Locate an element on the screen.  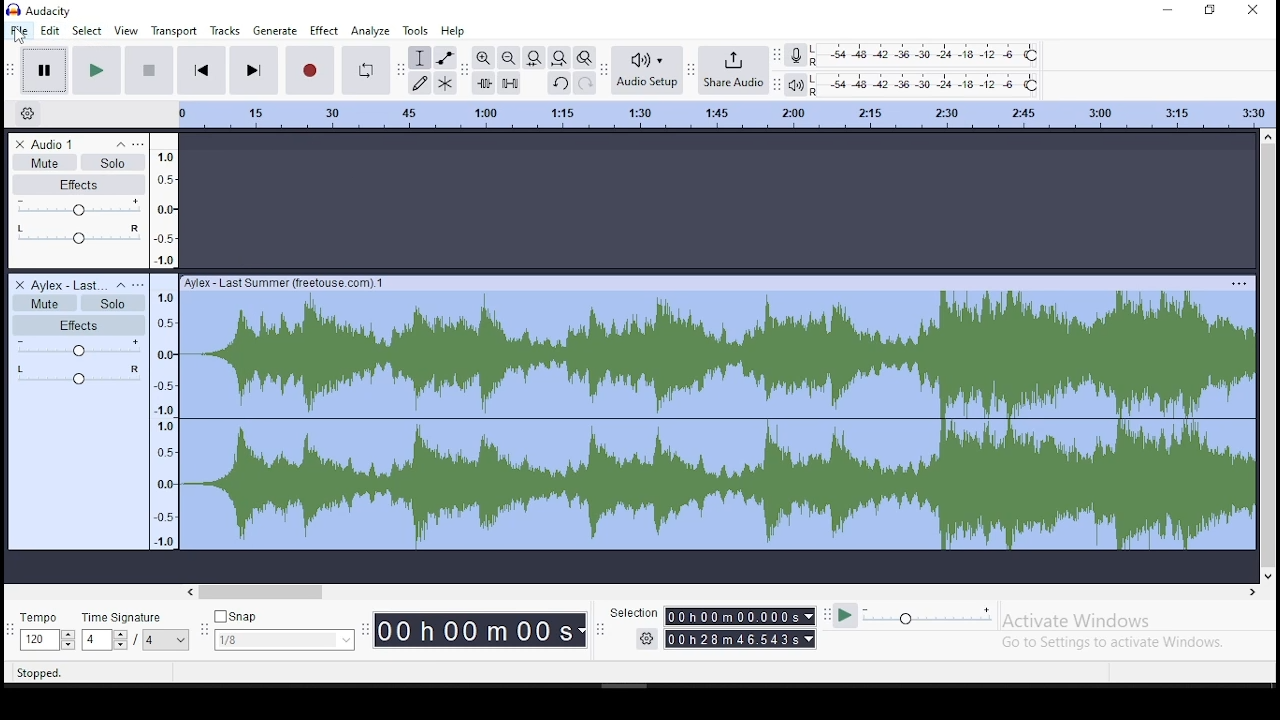
analyze is located at coordinates (369, 31).